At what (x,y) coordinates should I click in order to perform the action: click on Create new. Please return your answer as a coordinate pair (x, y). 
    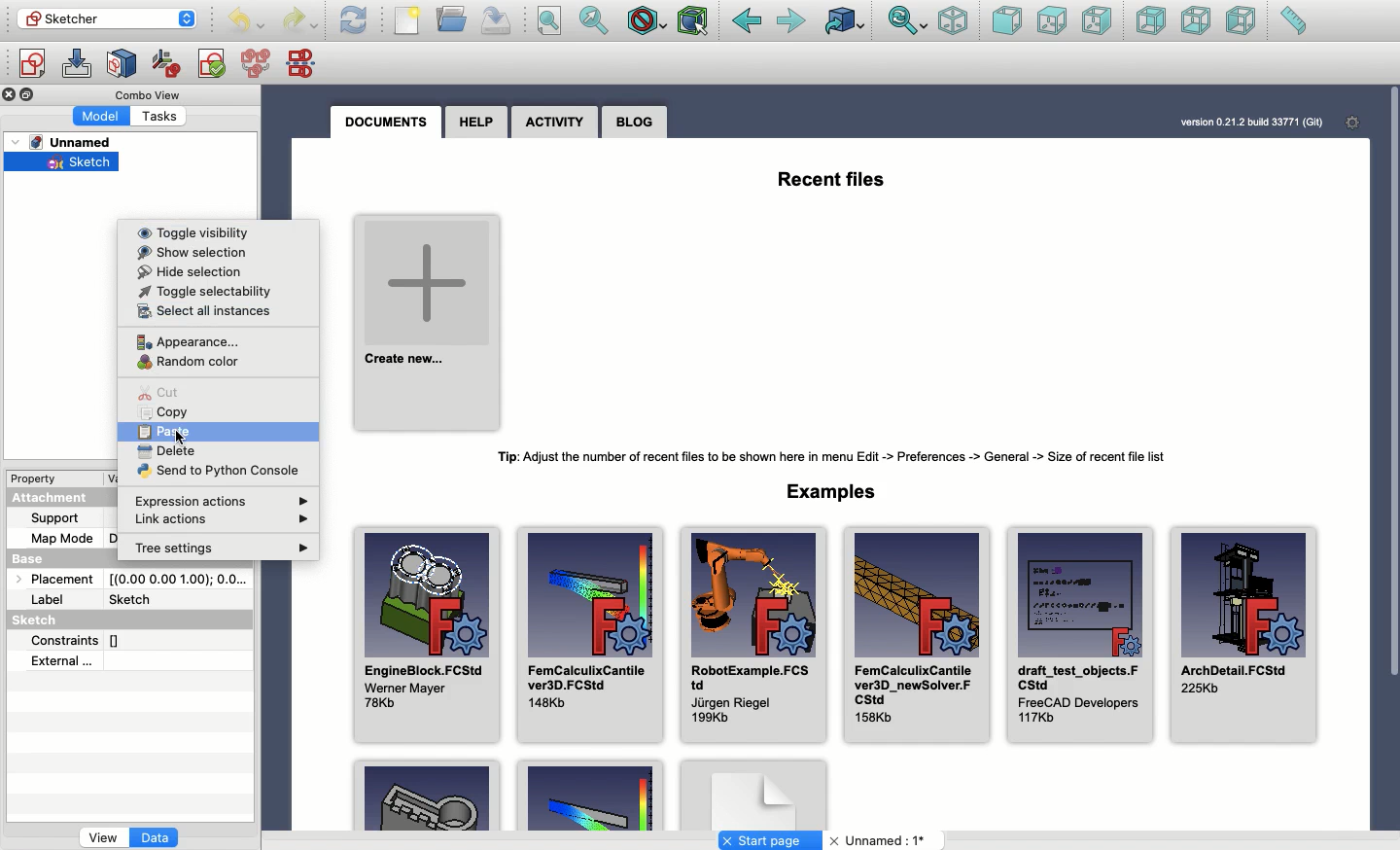
    Looking at the image, I should click on (429, 318).